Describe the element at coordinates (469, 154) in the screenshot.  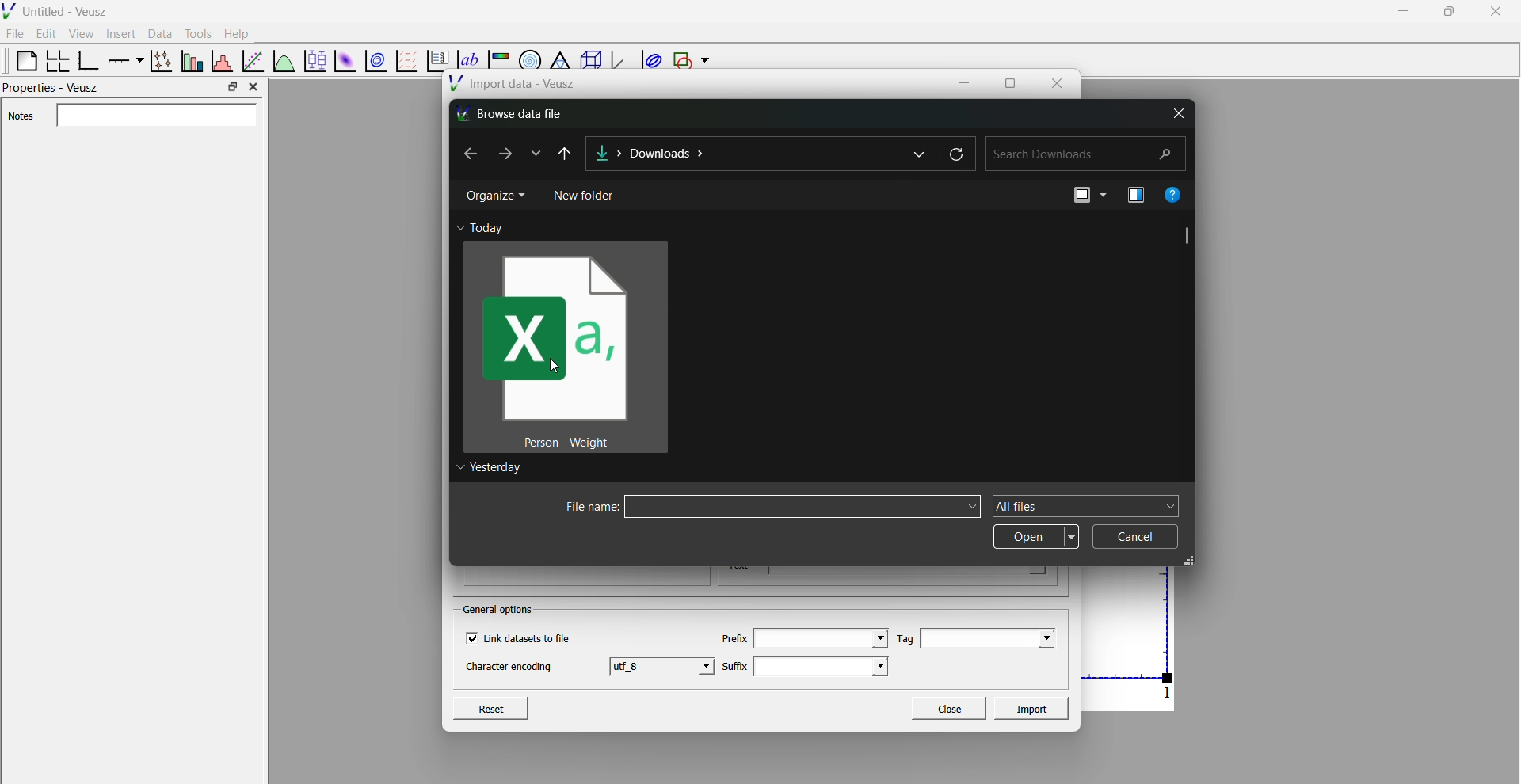
I see `back` at that location.